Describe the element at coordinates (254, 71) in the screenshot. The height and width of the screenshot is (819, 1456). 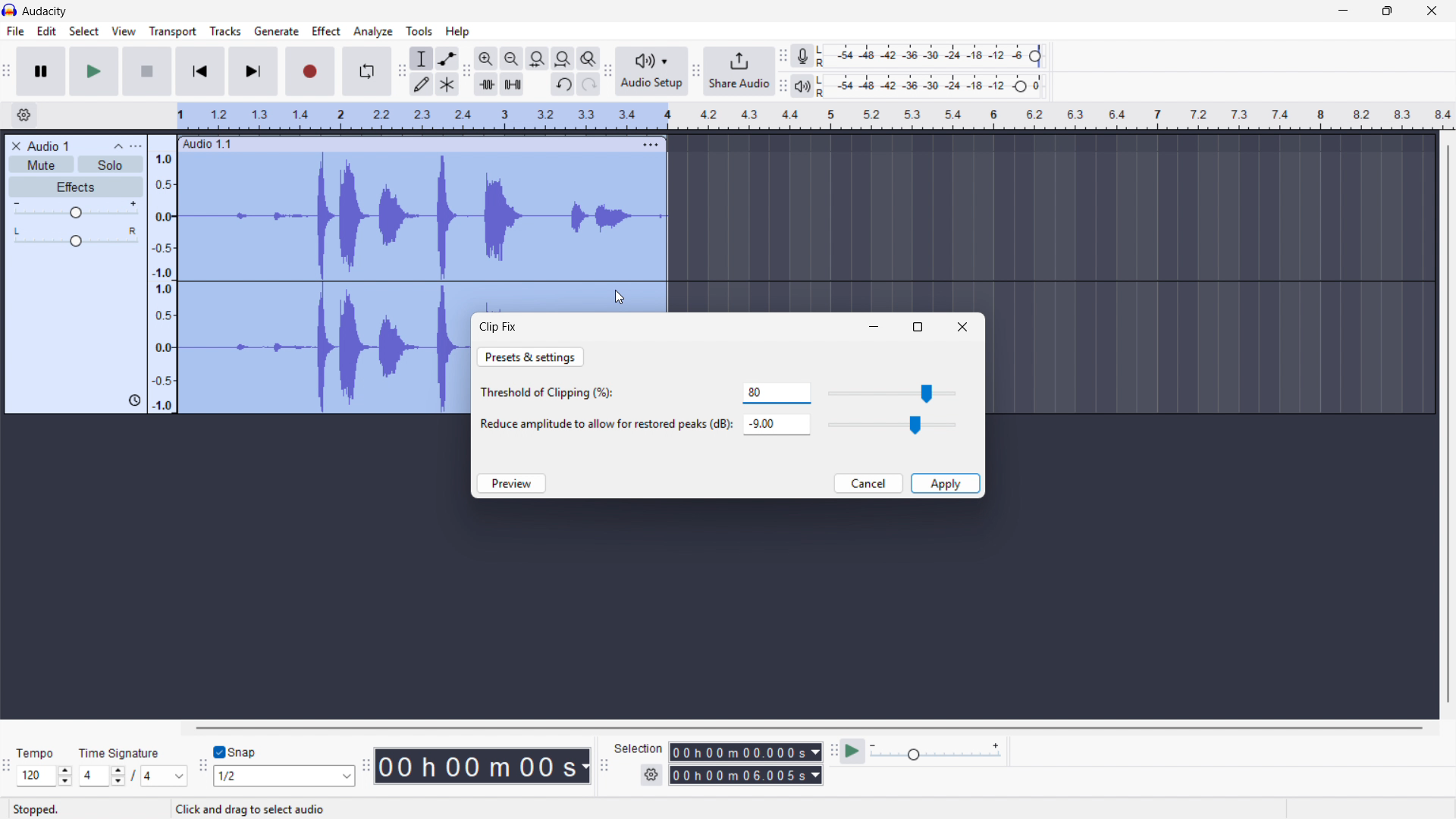
I see `Skip to end ` at that location.